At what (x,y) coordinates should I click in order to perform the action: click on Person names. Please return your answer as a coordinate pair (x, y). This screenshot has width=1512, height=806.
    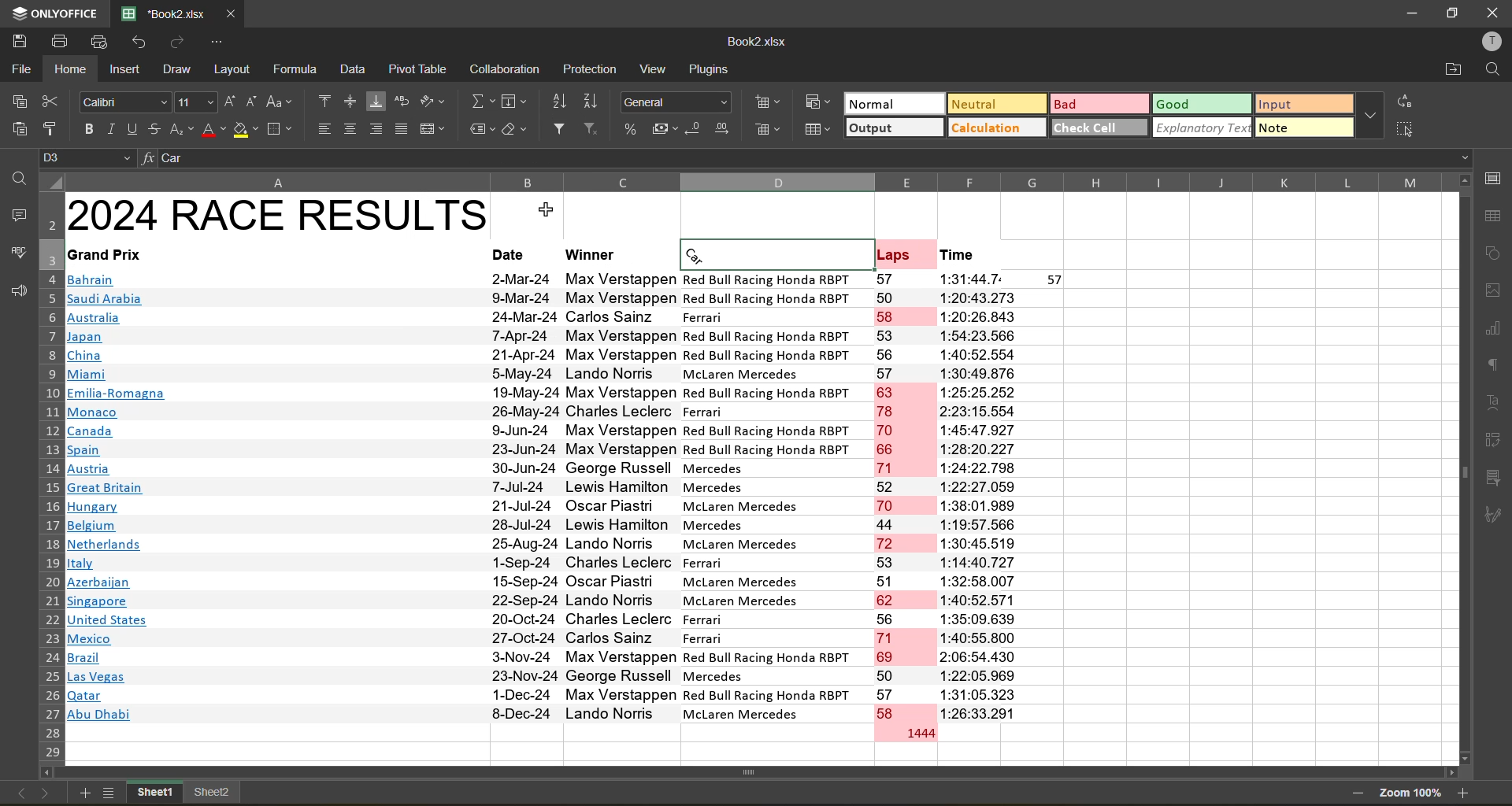
    Looking at the image, I should click on (621, 496).